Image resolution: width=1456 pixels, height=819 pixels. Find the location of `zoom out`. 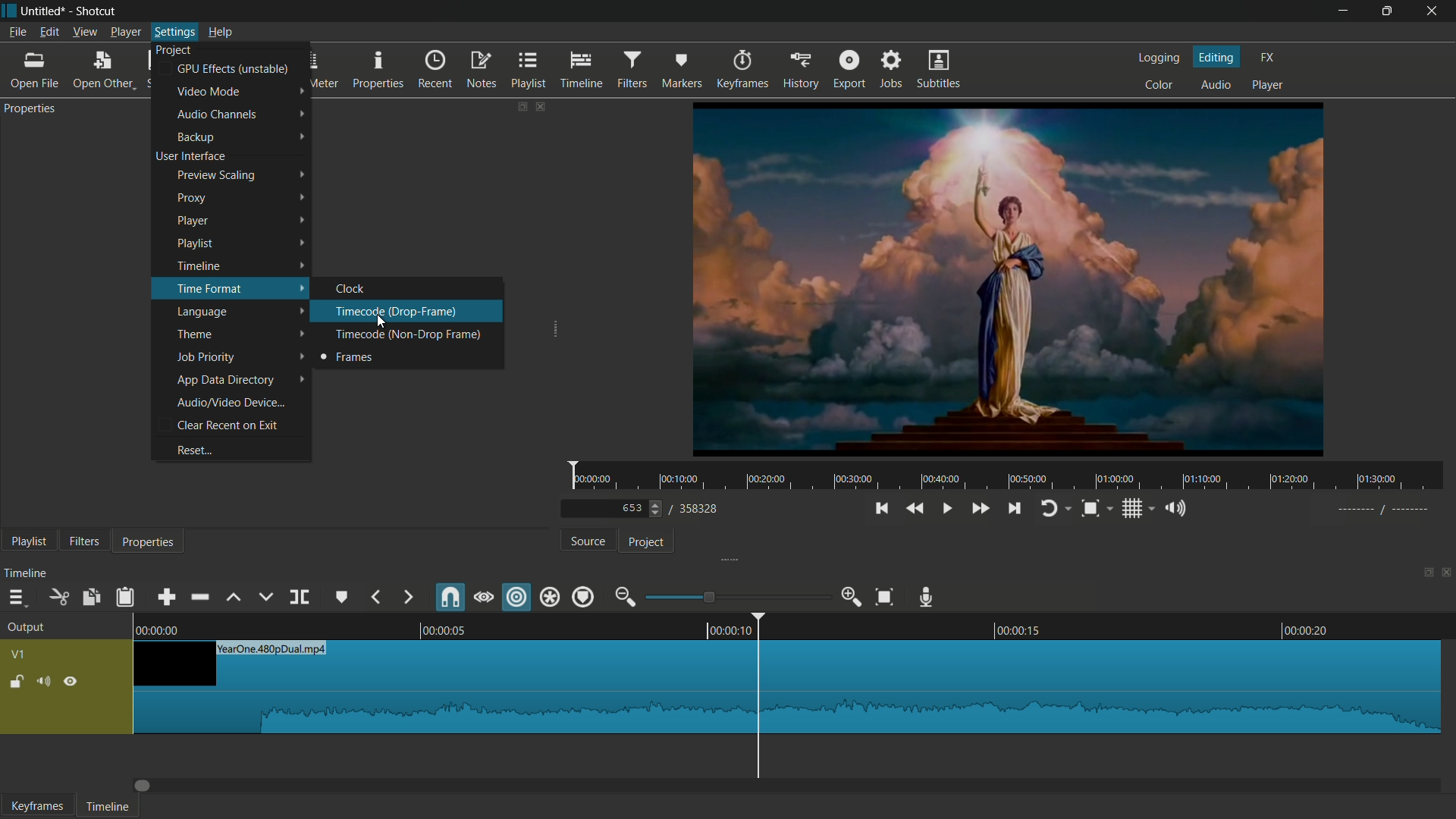

zoom out is located at coordinates (622, 598).